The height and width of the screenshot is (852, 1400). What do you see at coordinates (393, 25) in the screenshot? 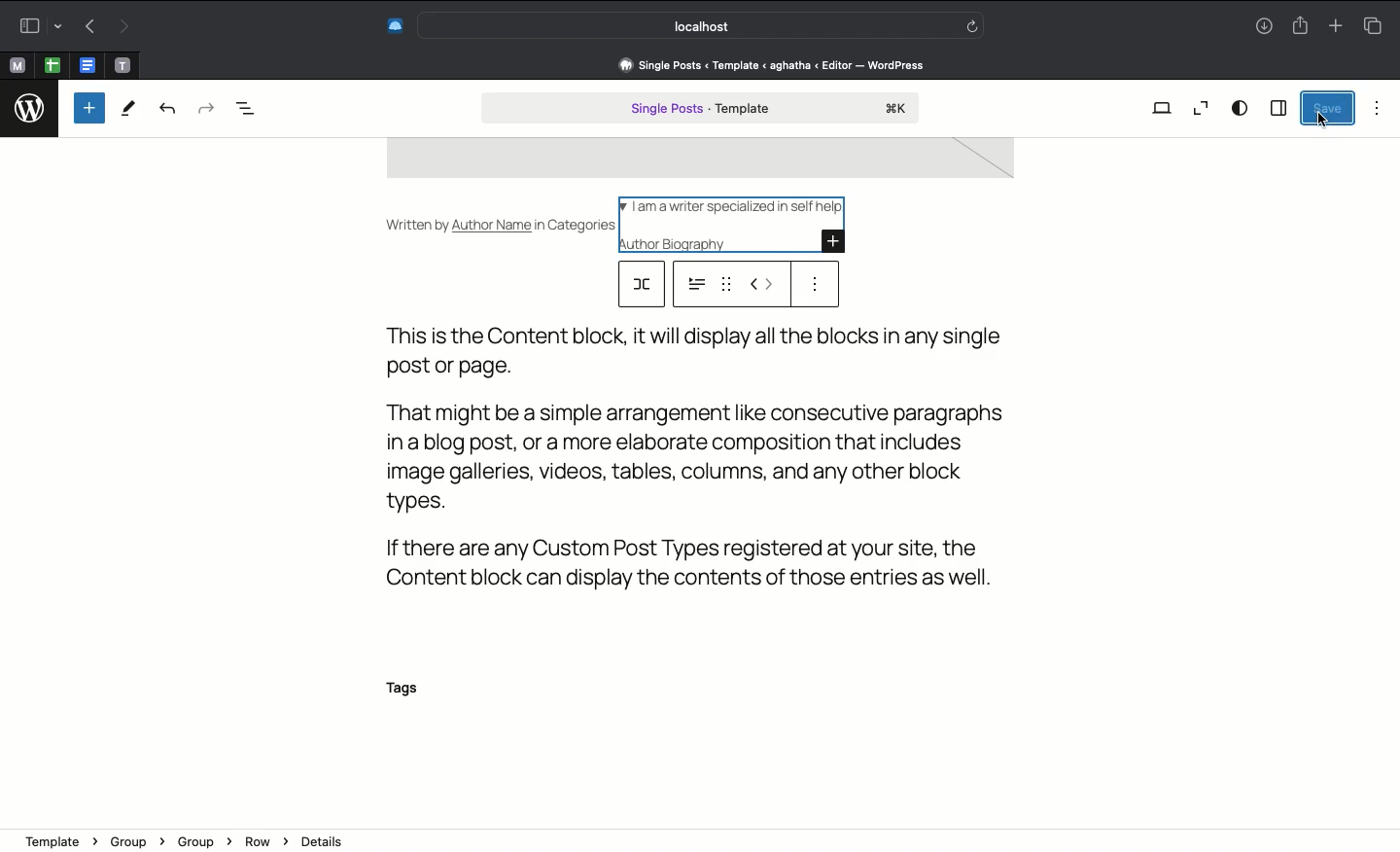
I see `Extensions` at bounding box center [393, 25].